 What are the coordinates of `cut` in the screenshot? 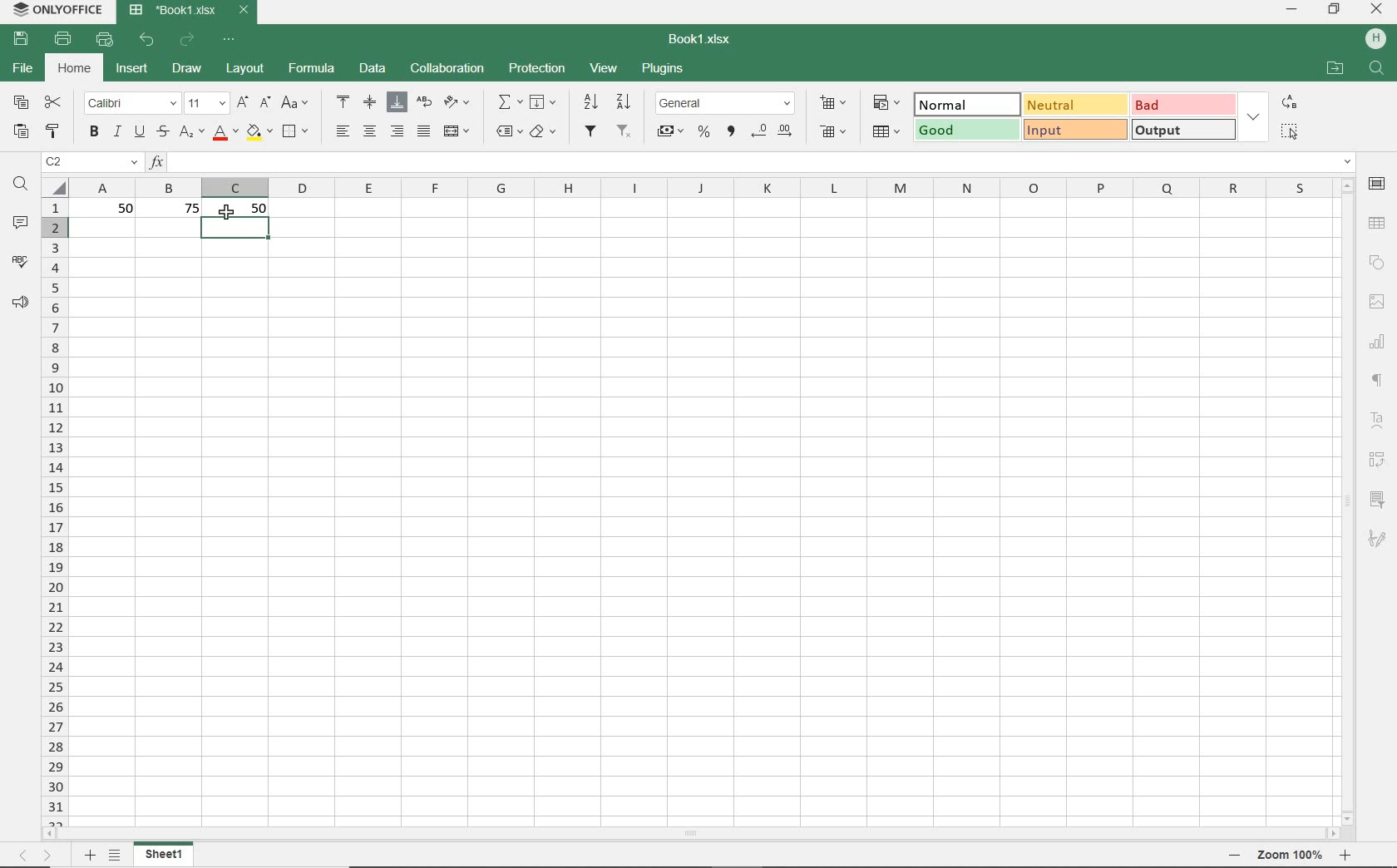 It's located at (54, 103).